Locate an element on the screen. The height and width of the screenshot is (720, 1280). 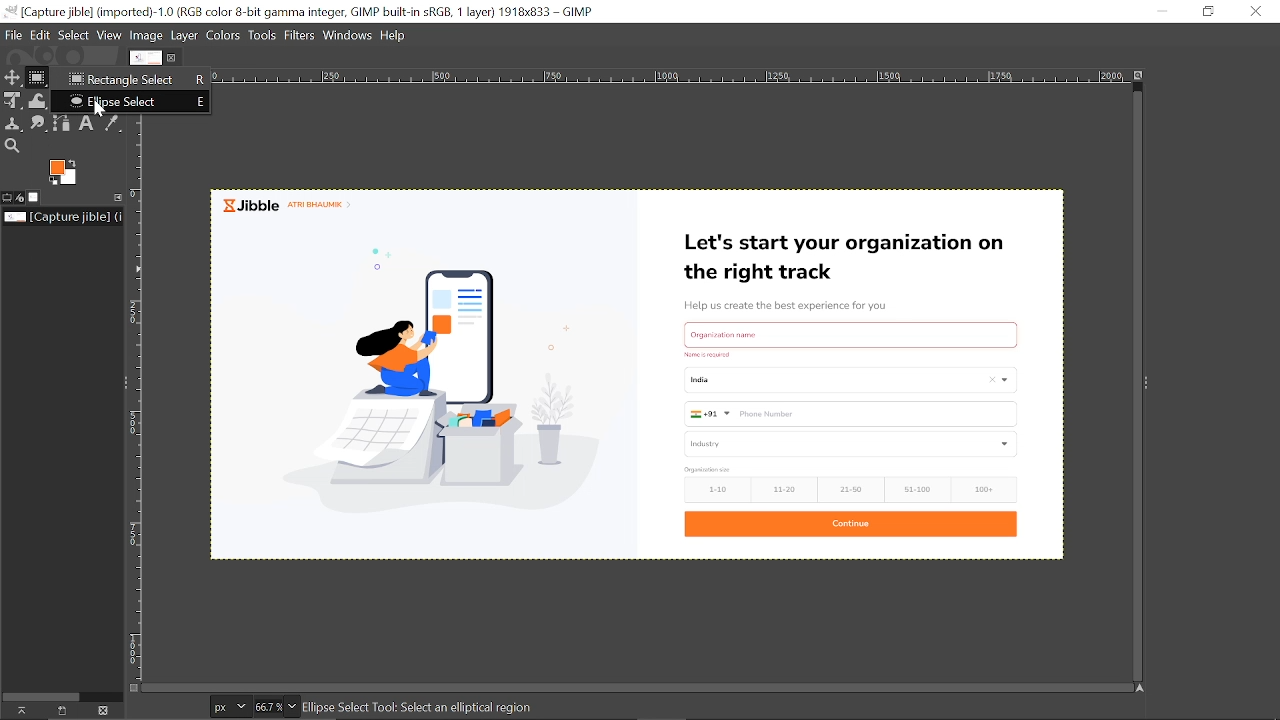
Zoom options is located at coordinates (290, 704).